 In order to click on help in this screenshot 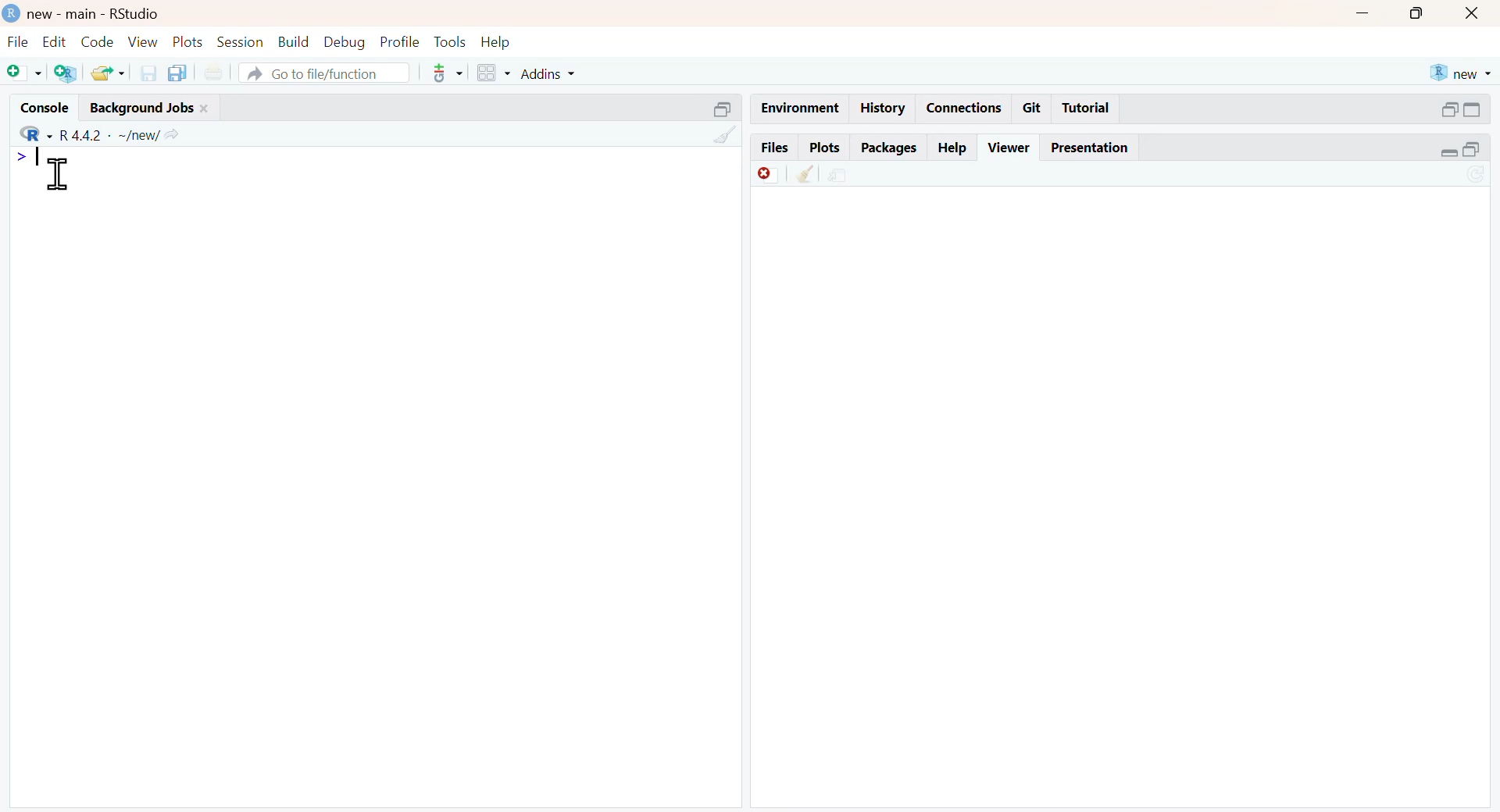, I will do `click(496, 41)`.